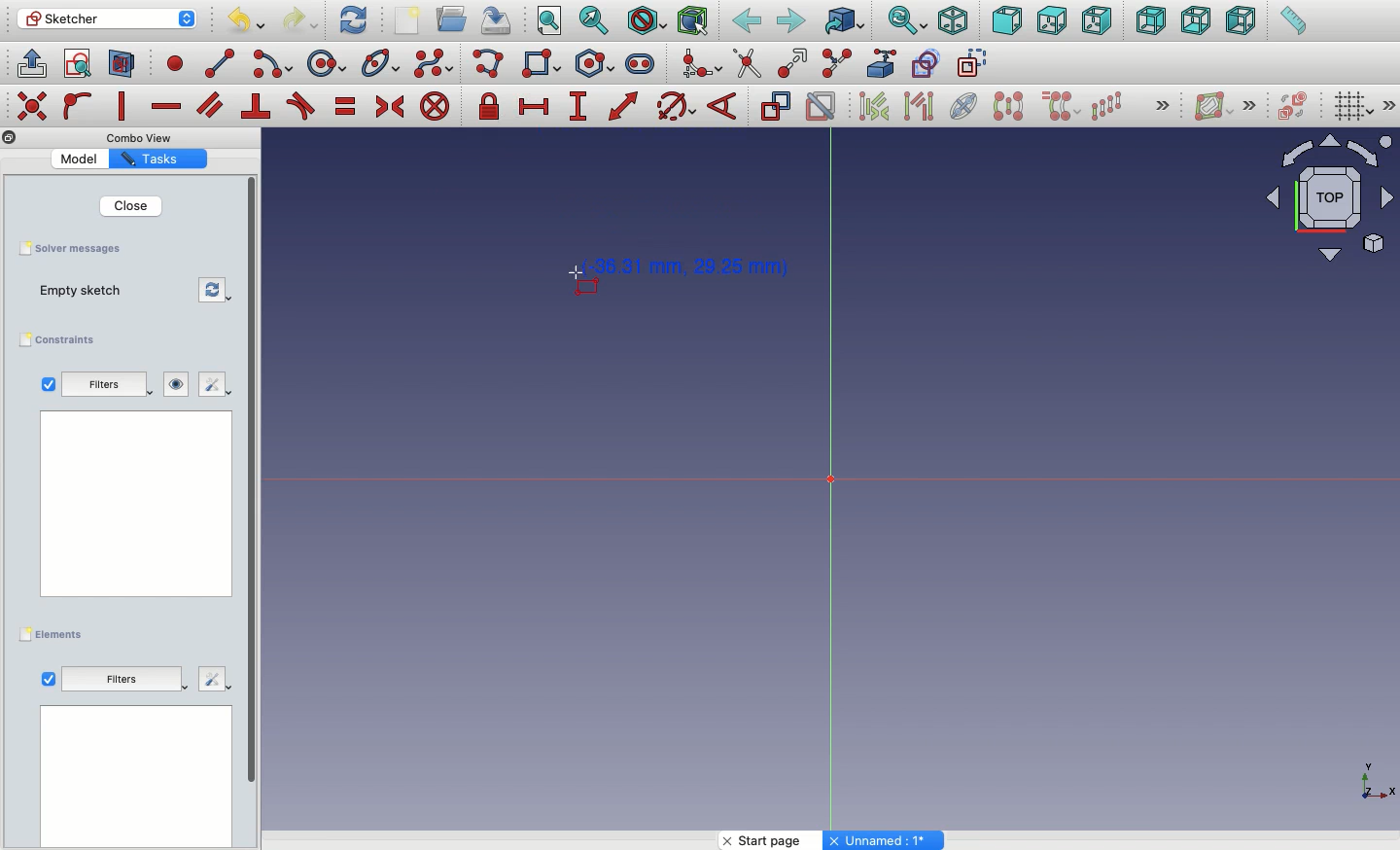 This screenshot has width=1400, height=850. What do you see at coordinates (689, 267) in the screenshot?
I see `(-38.31 mm, 29.25 mm)` at bounding box center [689, 267].